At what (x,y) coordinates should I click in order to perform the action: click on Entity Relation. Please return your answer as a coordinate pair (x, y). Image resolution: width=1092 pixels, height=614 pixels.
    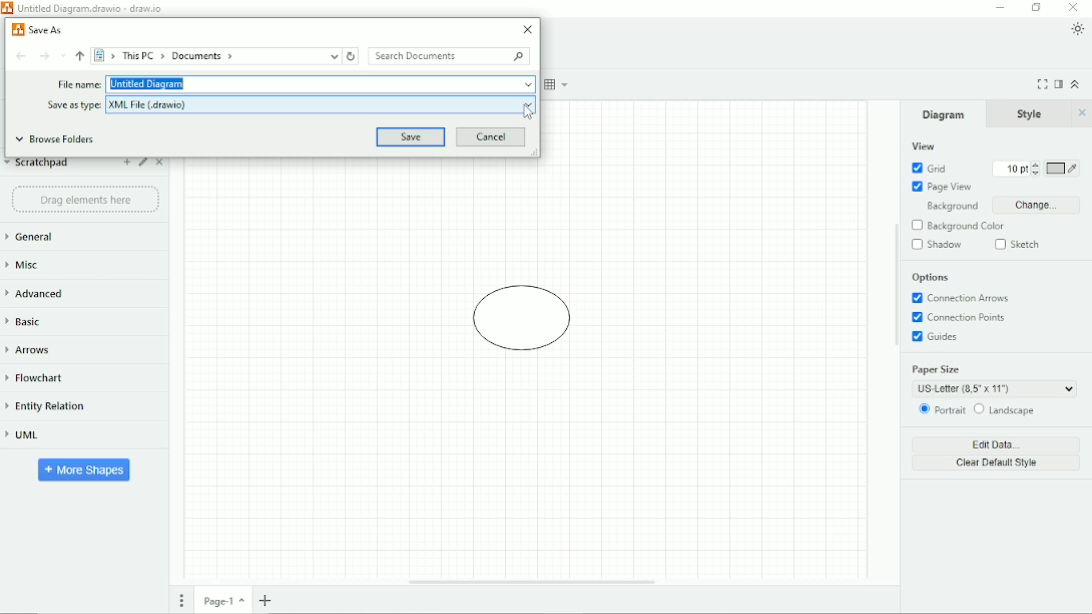
    Looking at the image, I should click on (46, 406).